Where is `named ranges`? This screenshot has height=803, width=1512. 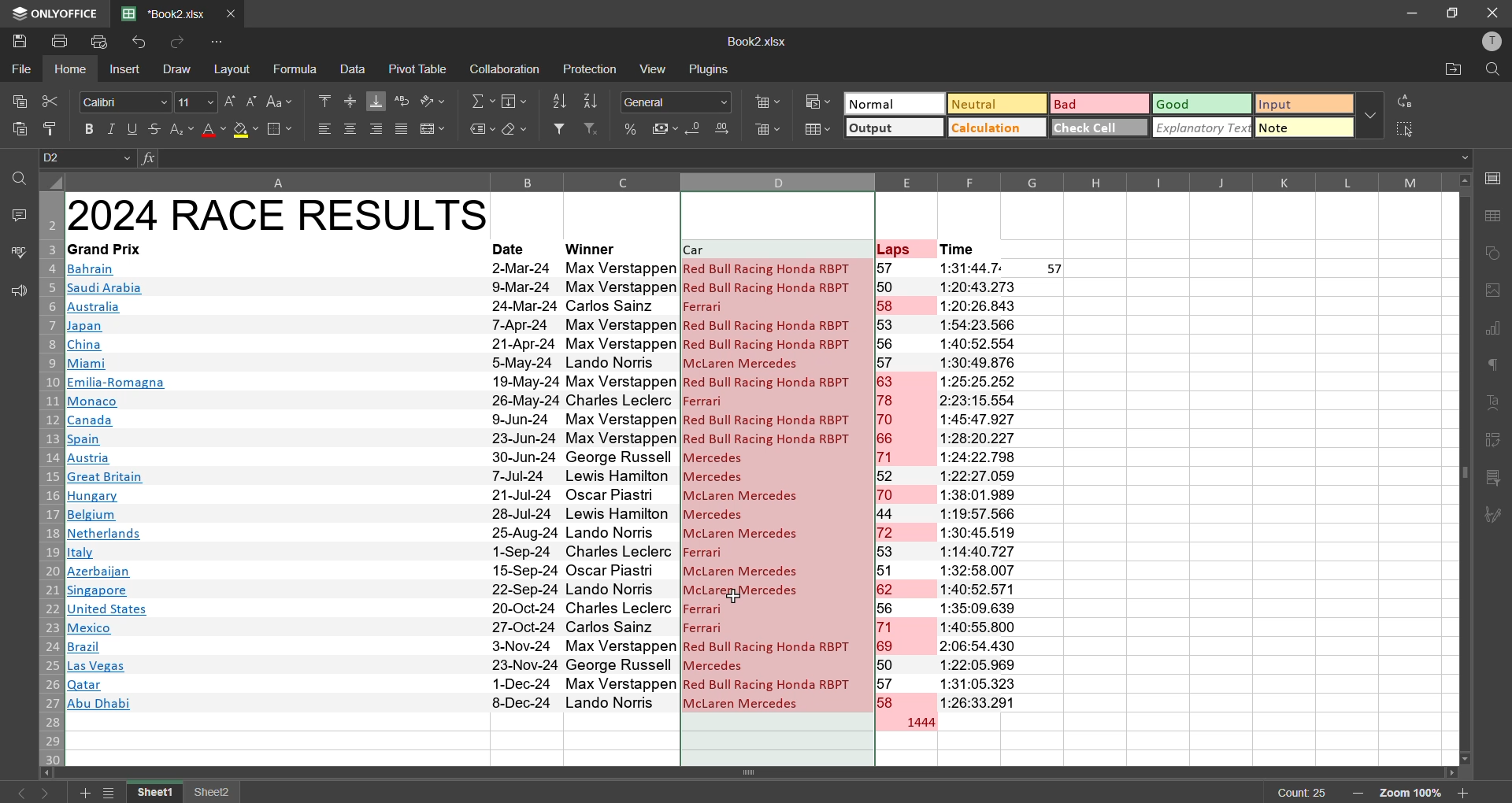 named ranges is located at coordinates (482, 130).